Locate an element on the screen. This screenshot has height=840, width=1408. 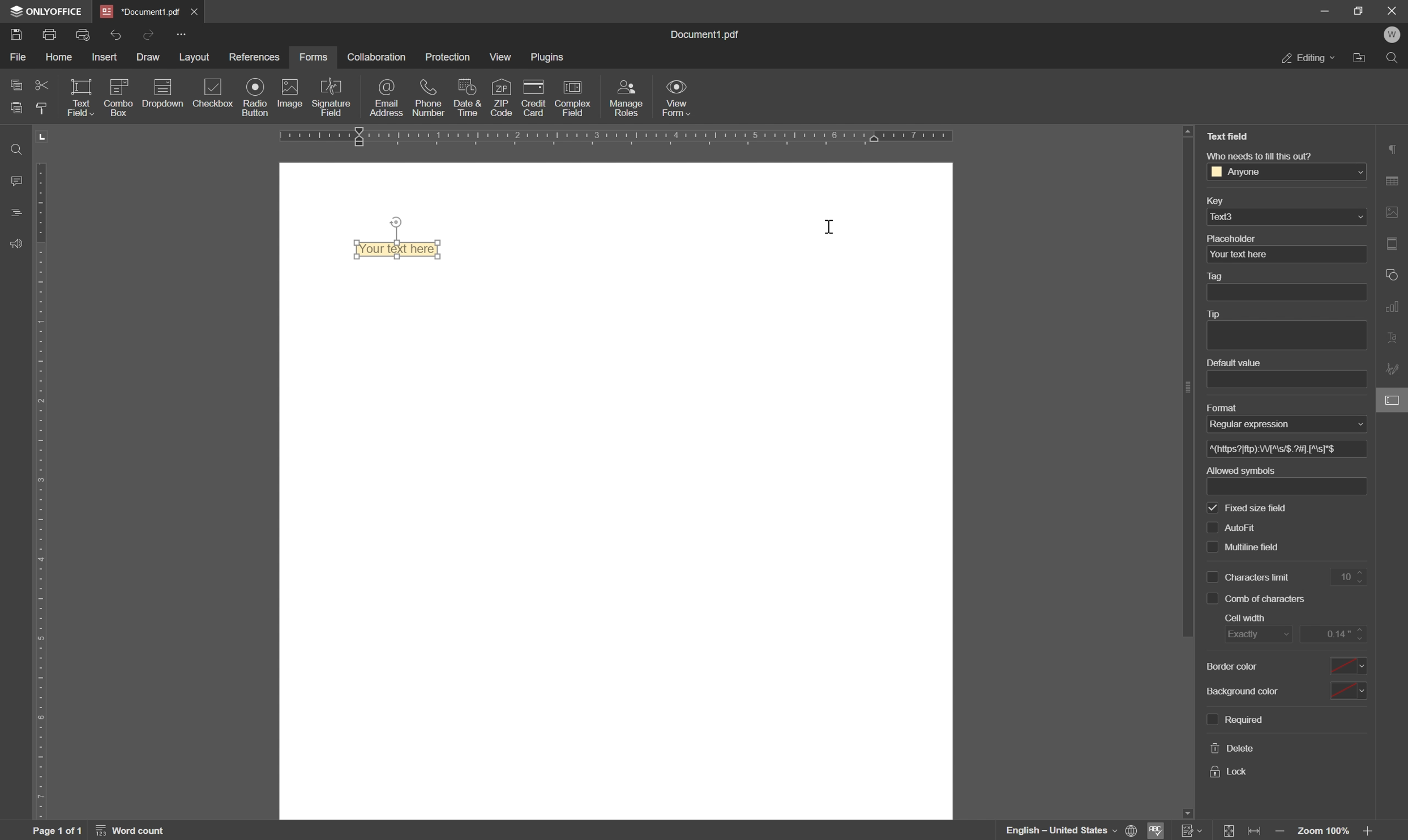
required is located at coordinates (1244, 719).